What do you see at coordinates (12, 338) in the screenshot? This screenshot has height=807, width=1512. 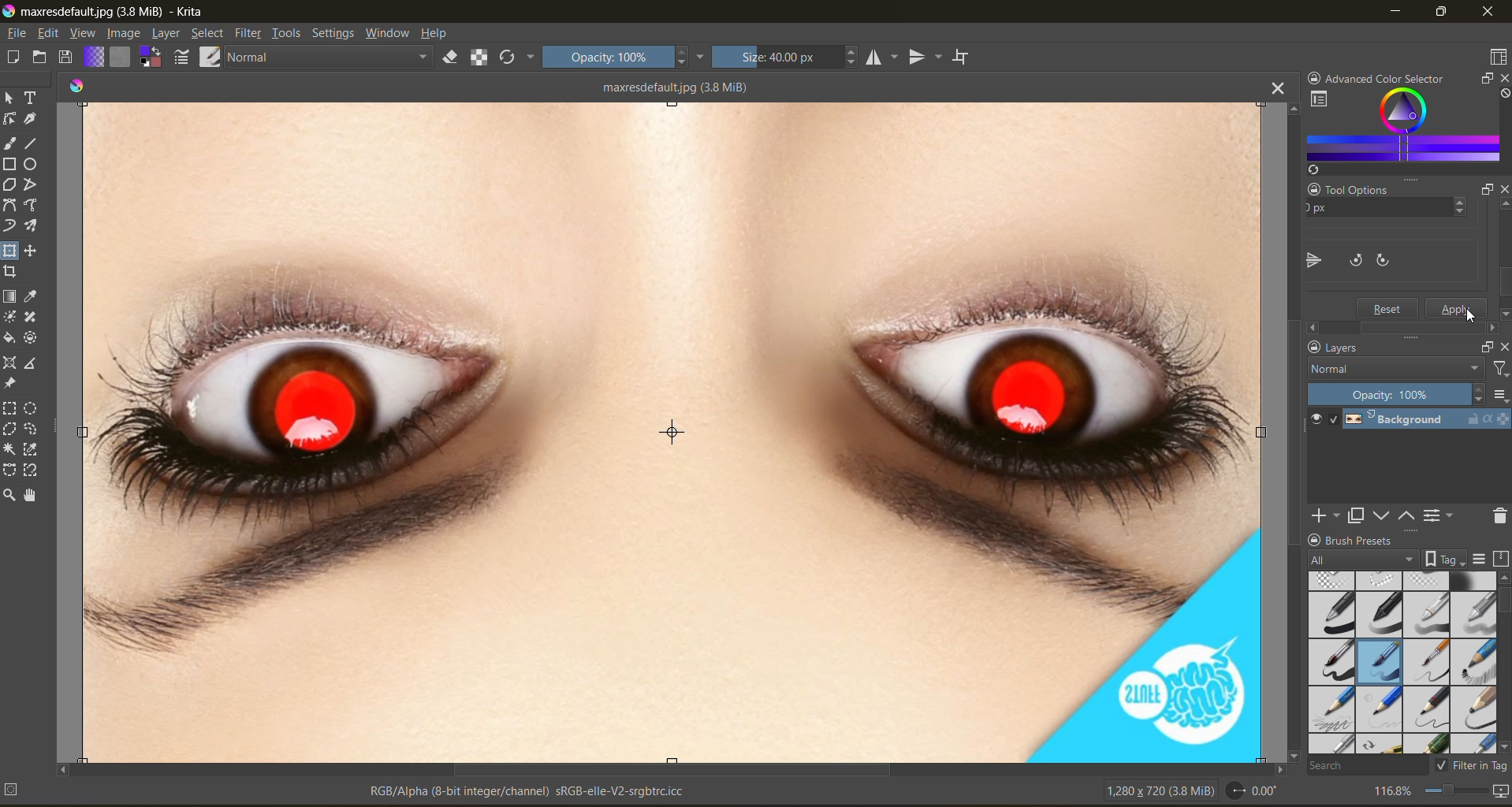 I see `tool` at bounding box center [12, 338].